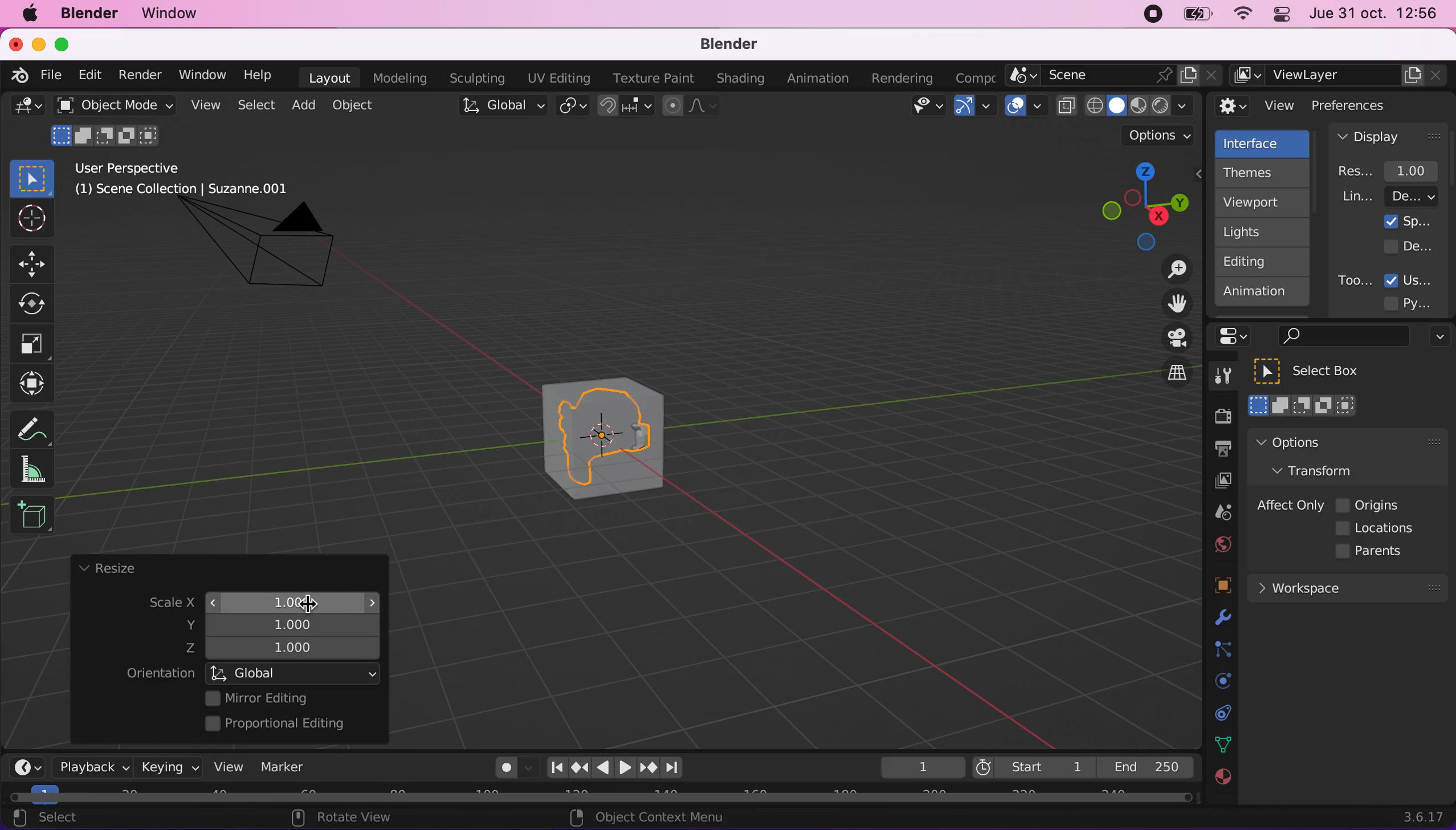  I want to click on editing, so click(1257, 261).